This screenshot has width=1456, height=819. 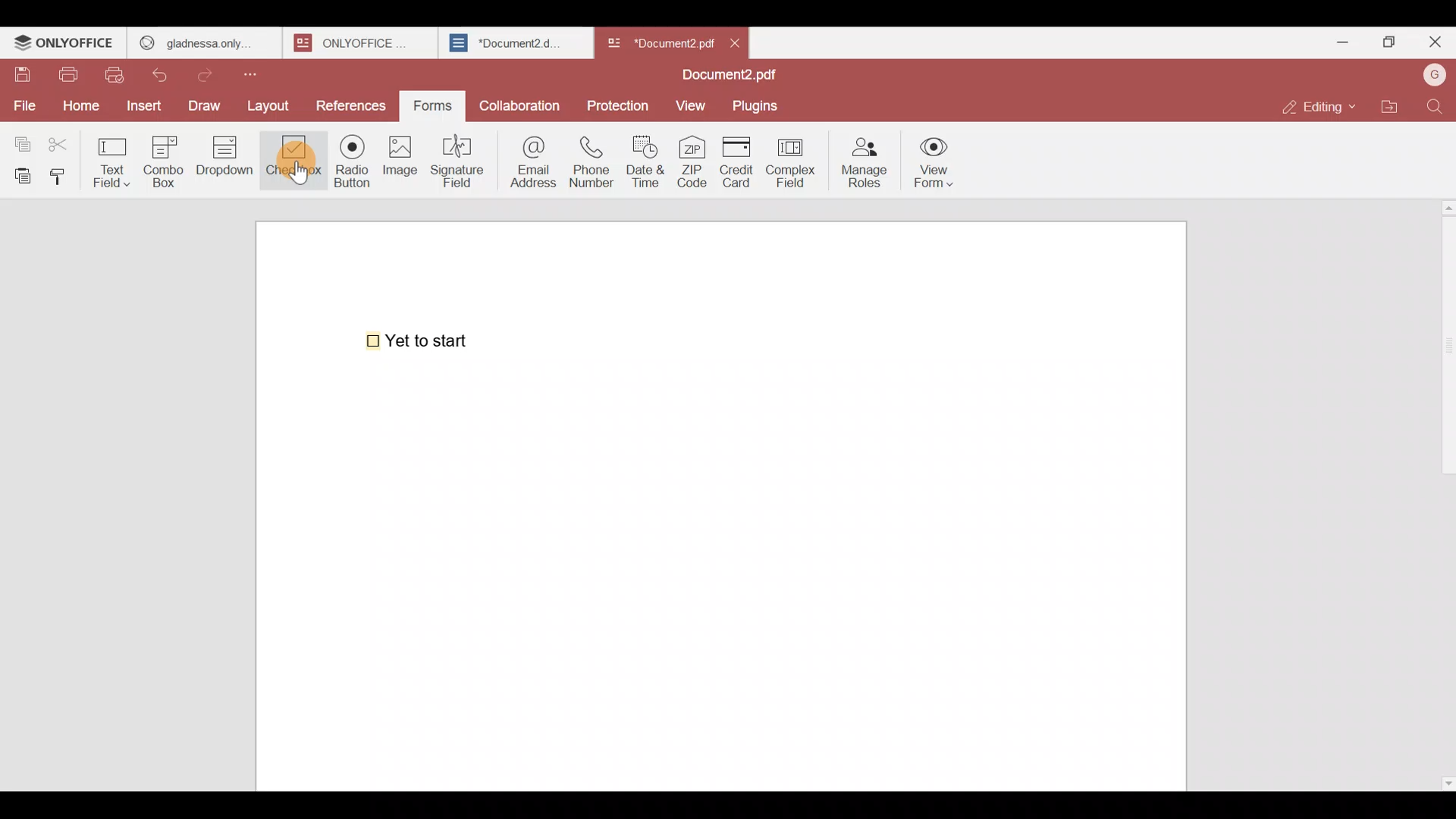 I want to click on View, so click(x=693, y=105).